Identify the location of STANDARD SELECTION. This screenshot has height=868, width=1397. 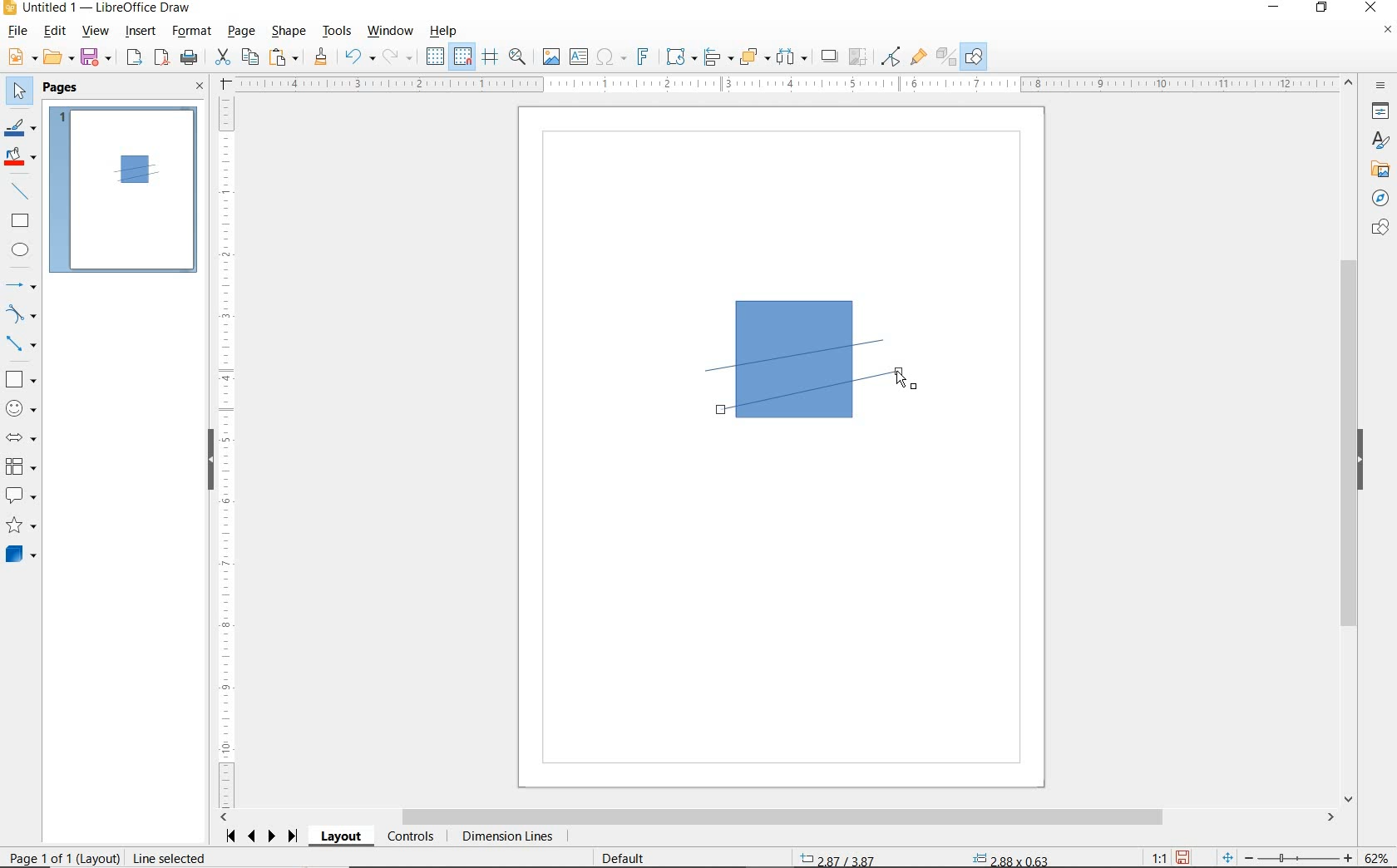
(926, 856).